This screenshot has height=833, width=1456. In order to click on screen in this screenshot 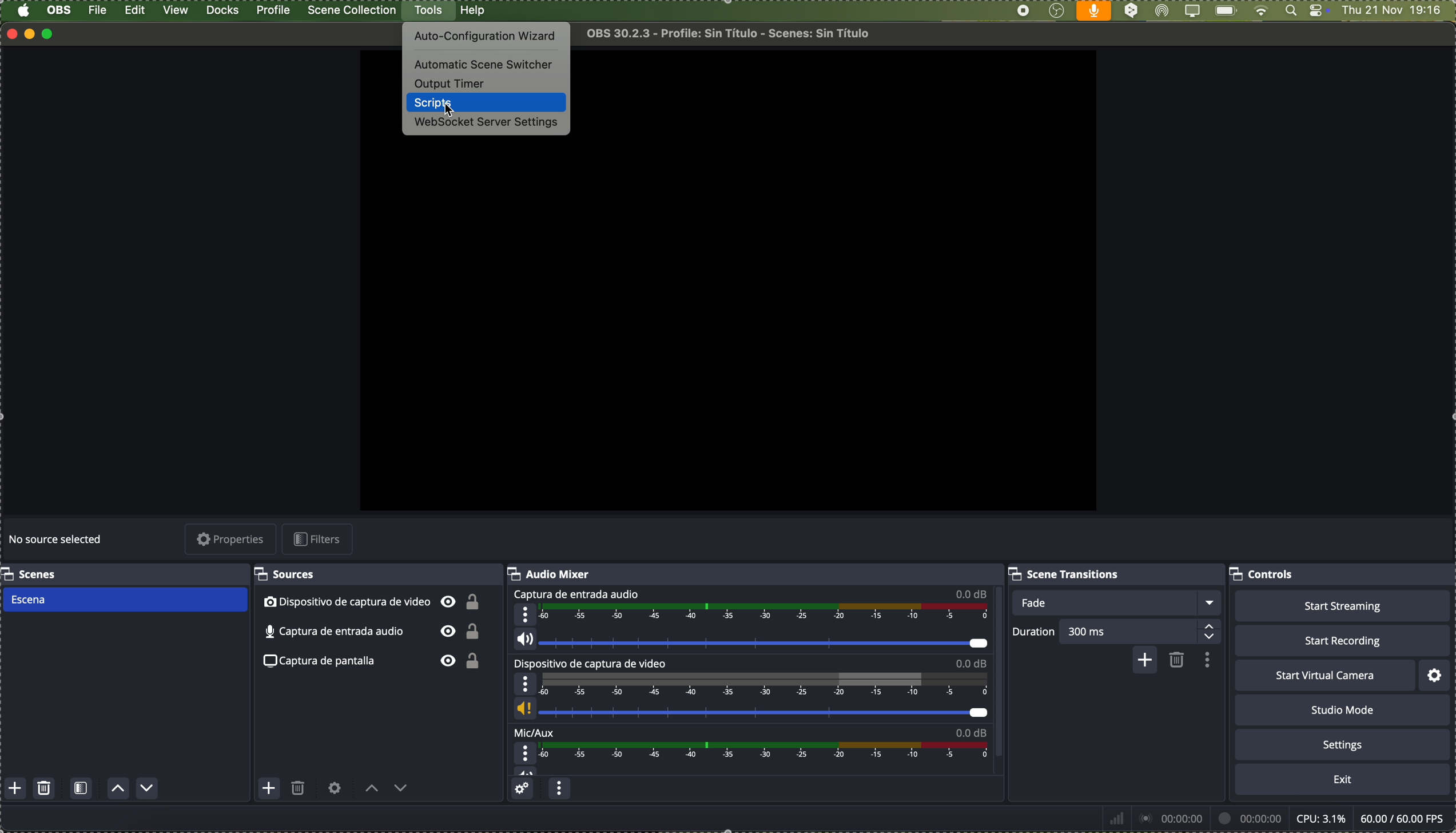, I will do `click(1191, 11)`.